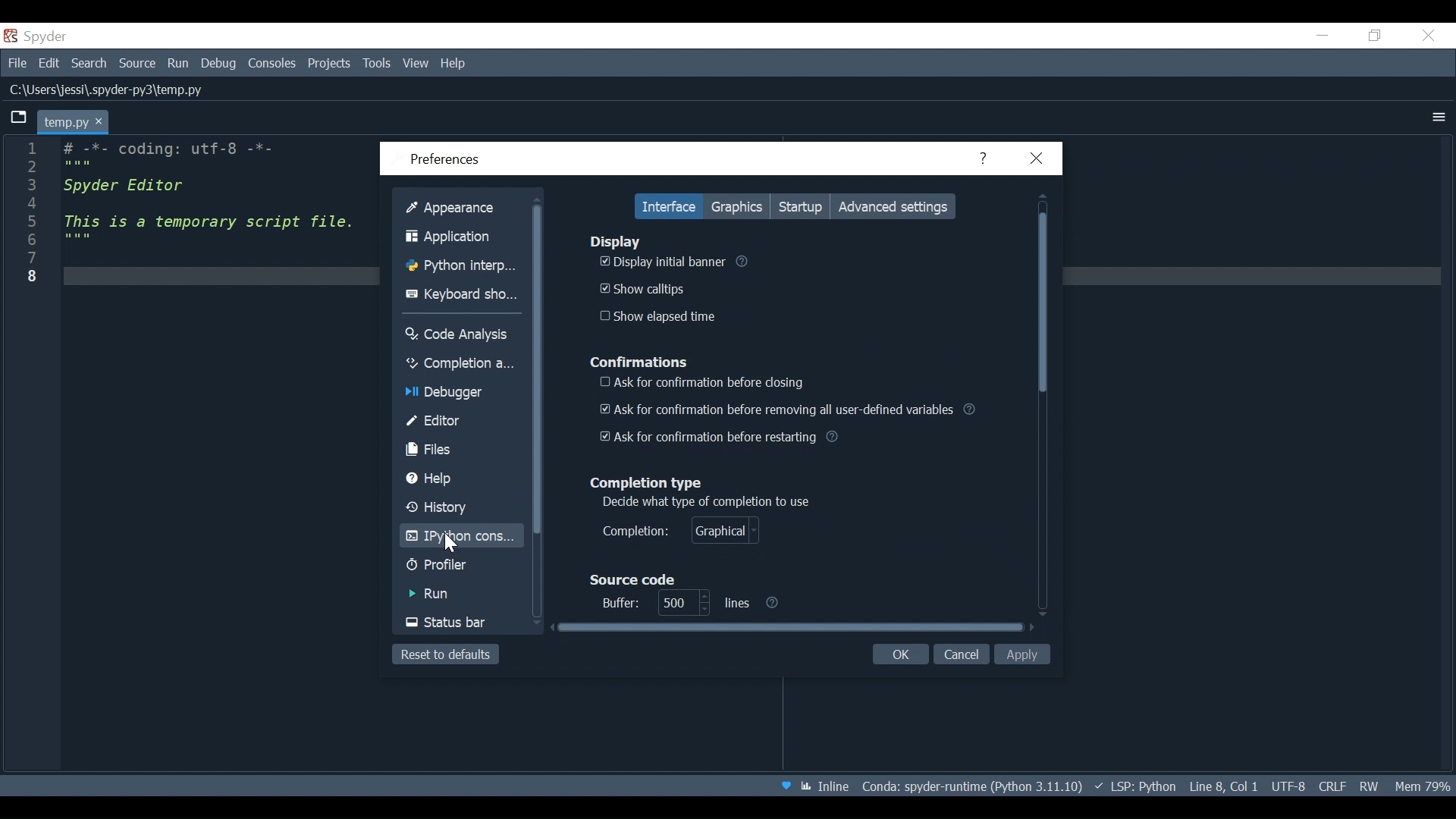 The image size is (1456, 819). I want to click on Source, so click(133, 64).